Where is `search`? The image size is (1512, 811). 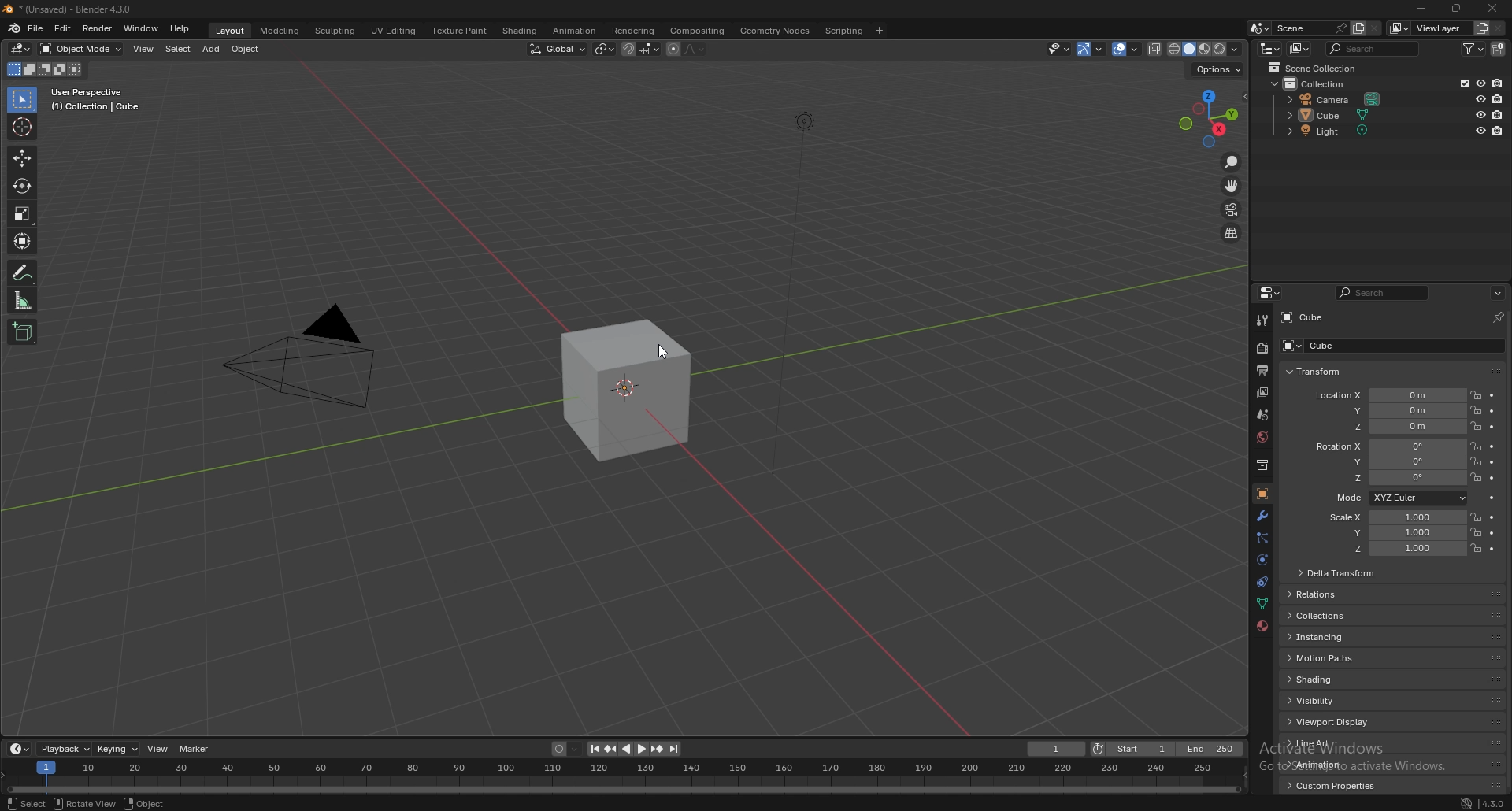
search is located at coordinates (1384, 293).